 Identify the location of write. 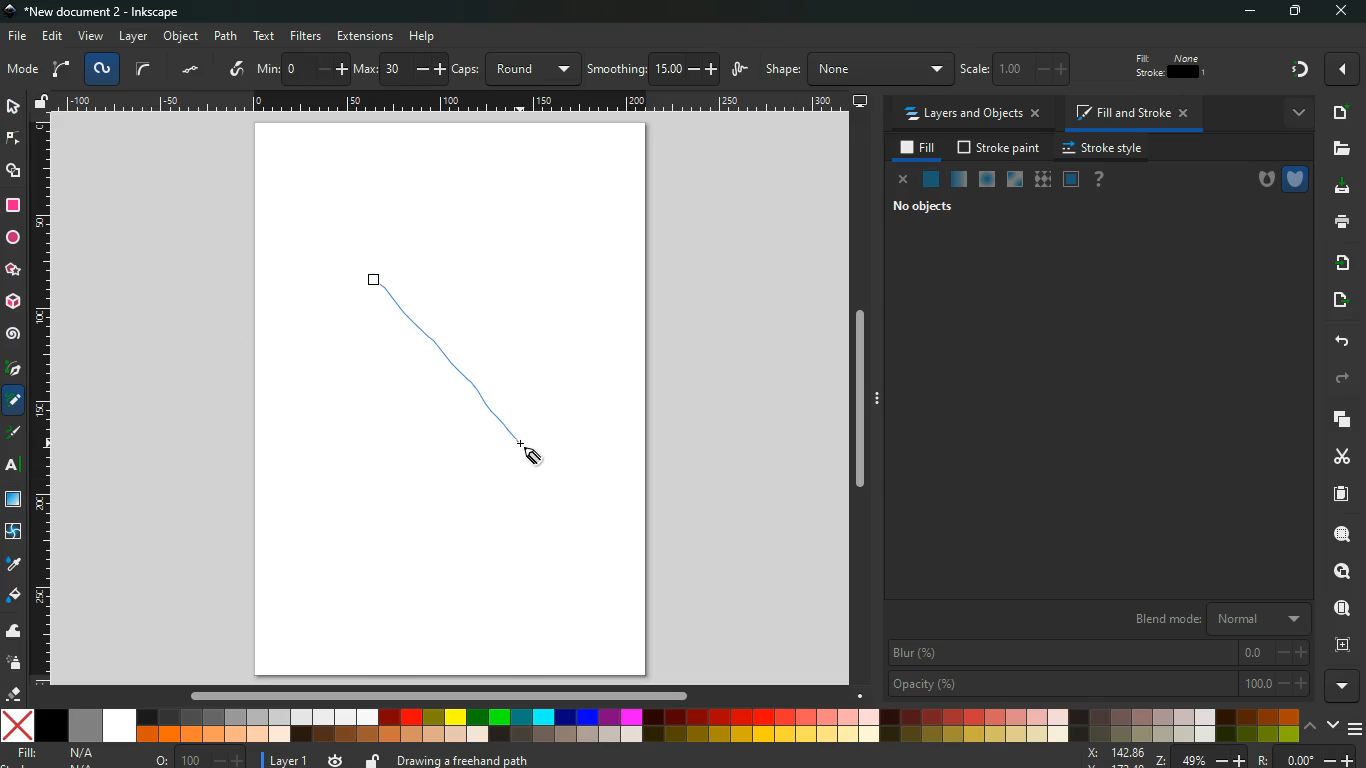
(238, 70).